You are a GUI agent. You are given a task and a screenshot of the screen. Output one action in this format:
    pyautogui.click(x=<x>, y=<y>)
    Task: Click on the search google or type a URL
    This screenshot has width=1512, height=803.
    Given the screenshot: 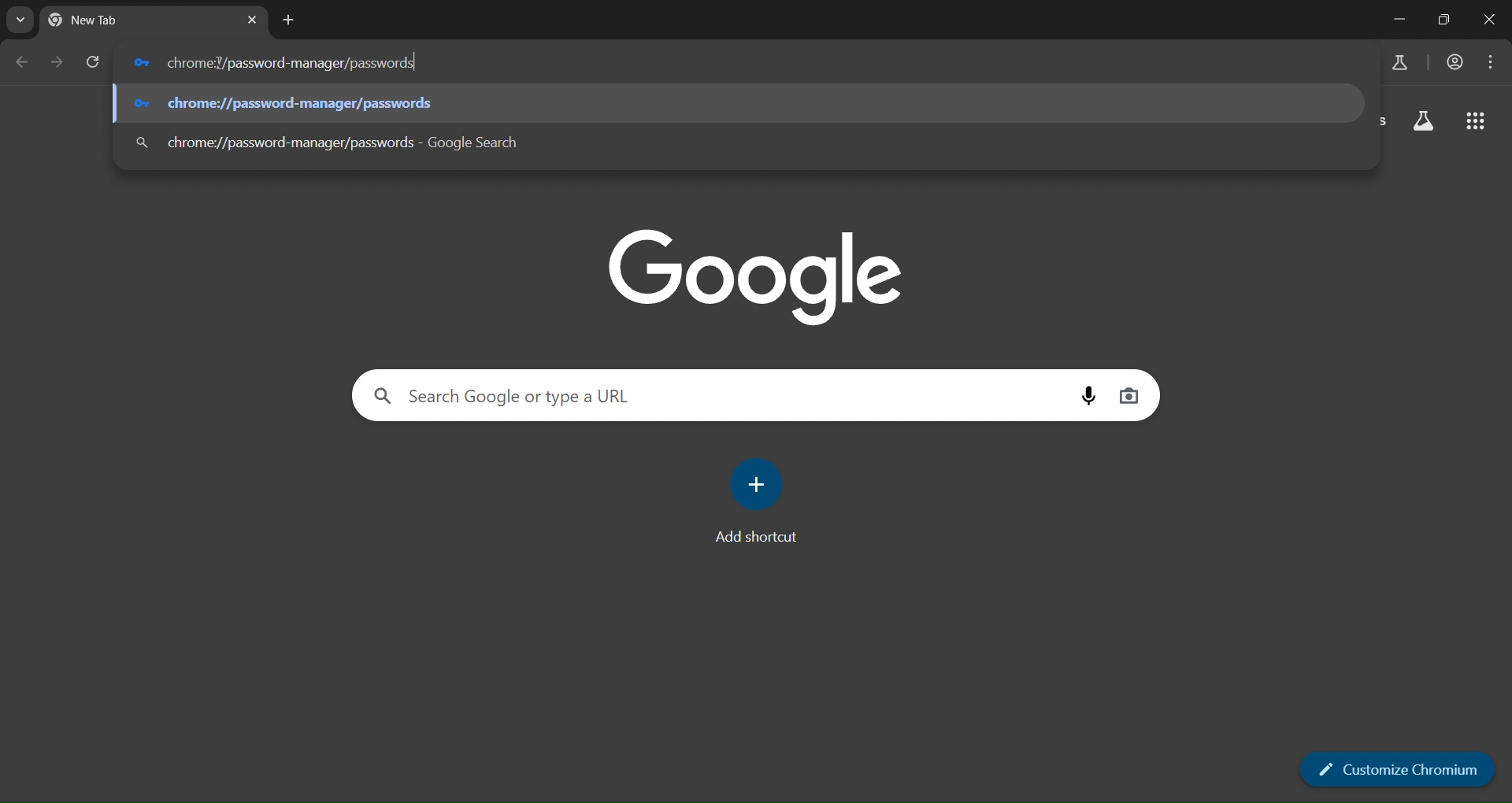 What is the action you would take?
    pyautogui.click(x=717, y=394)
    